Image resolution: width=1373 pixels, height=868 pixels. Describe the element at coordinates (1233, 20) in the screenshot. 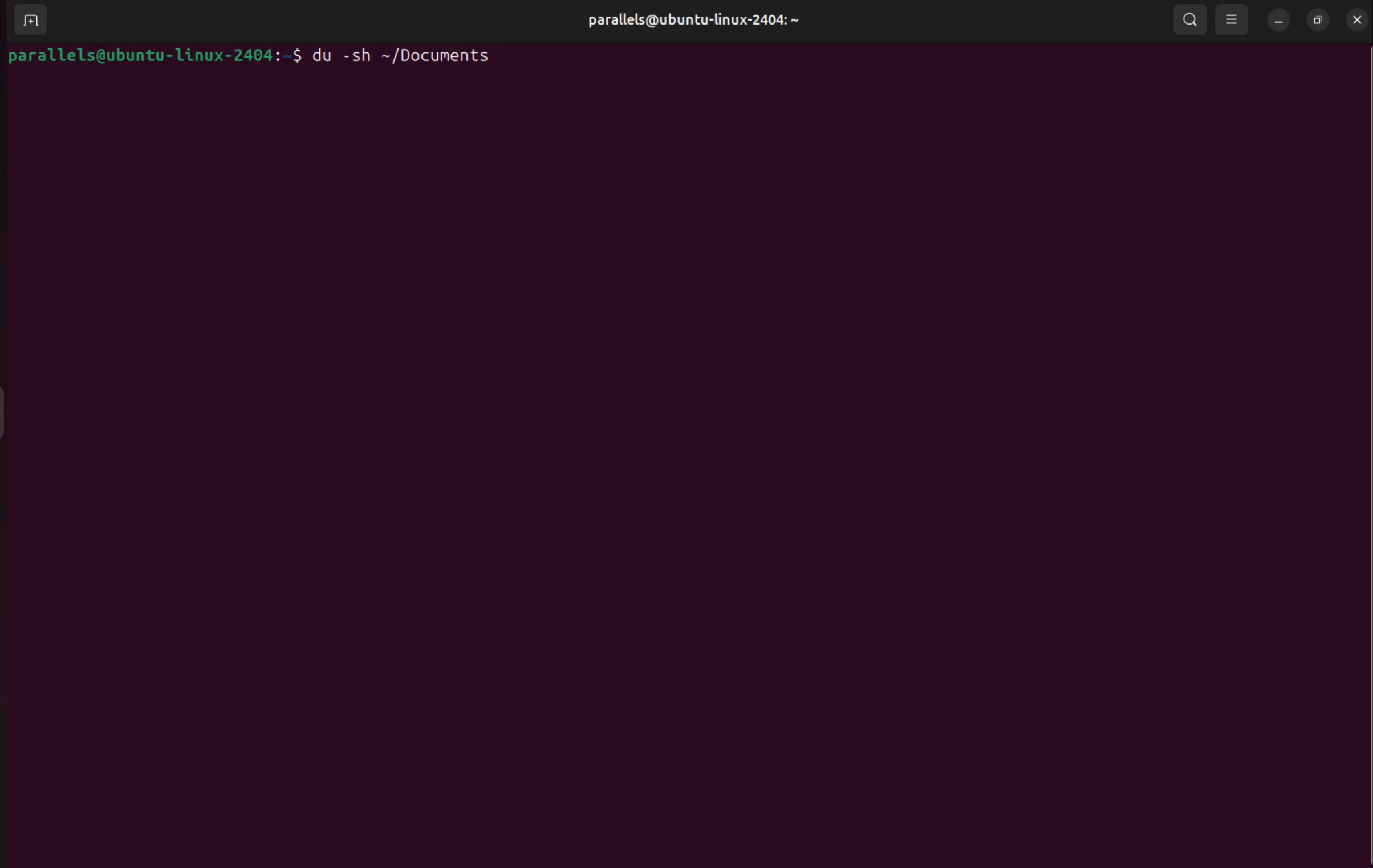

I see `view options` at that location.